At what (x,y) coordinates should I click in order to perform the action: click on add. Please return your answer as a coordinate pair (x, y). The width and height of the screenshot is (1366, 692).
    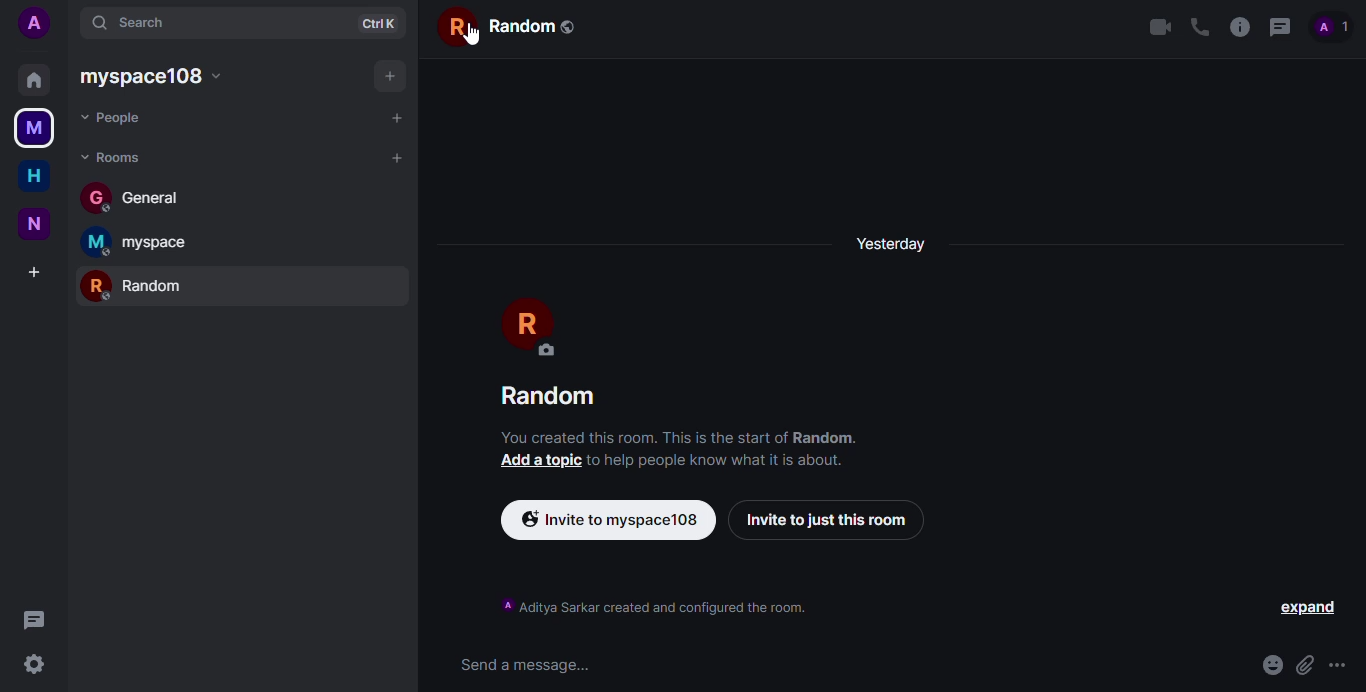
    Looking at the image, I should click on (35, 271).